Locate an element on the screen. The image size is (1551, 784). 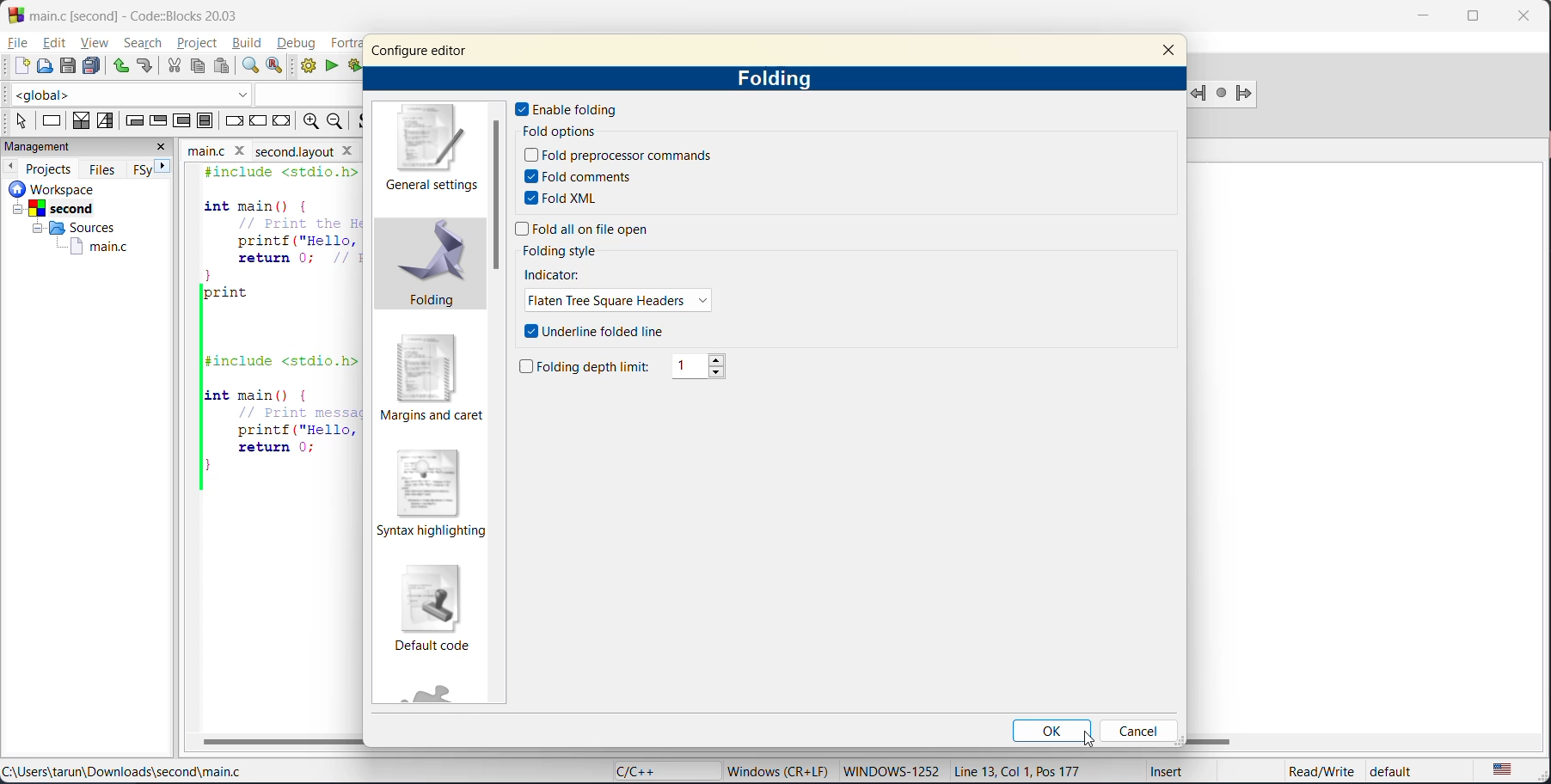
metadata is located at coordinates (781, 770).